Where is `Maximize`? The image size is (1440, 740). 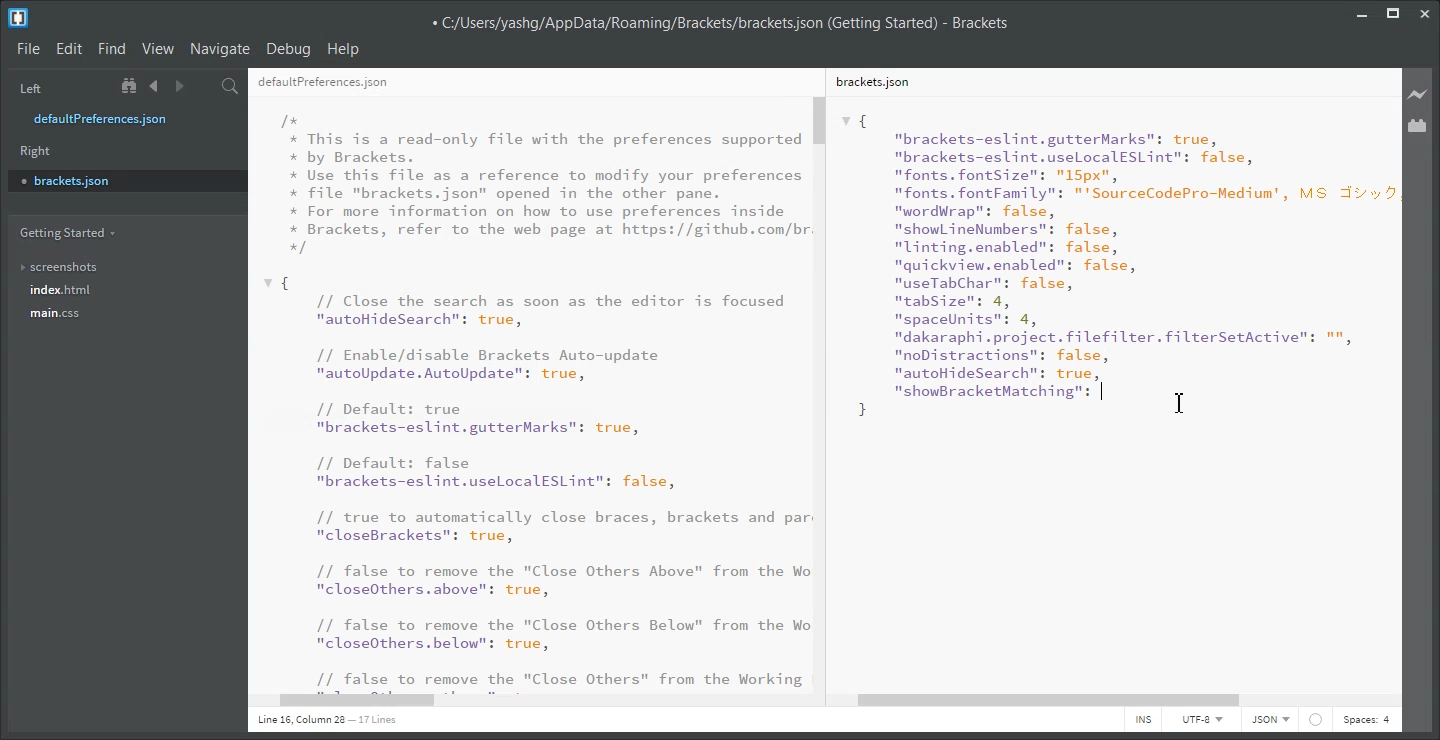
Maximize is located at coordinates (1393, 11).